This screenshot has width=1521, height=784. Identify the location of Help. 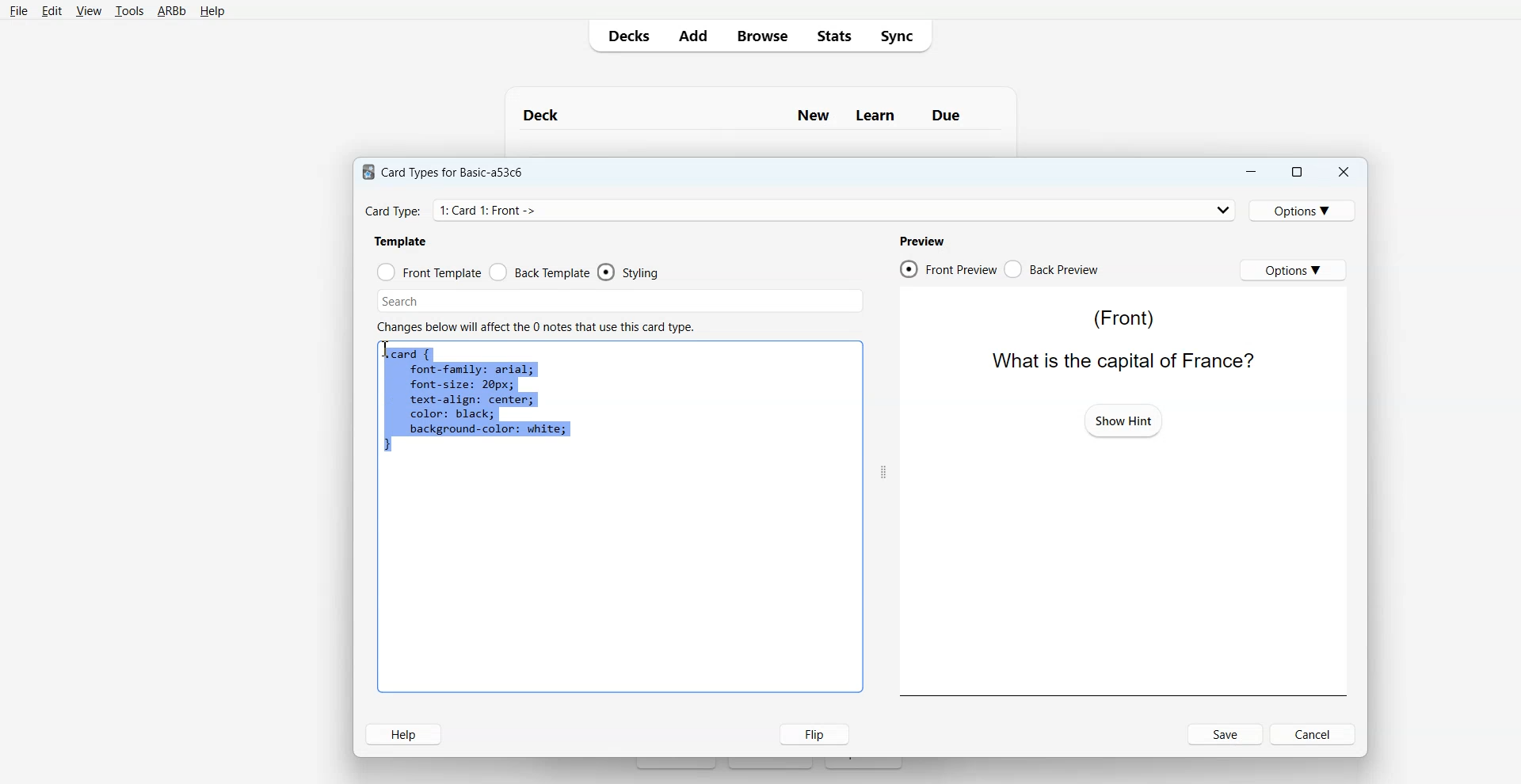
(212, 12).